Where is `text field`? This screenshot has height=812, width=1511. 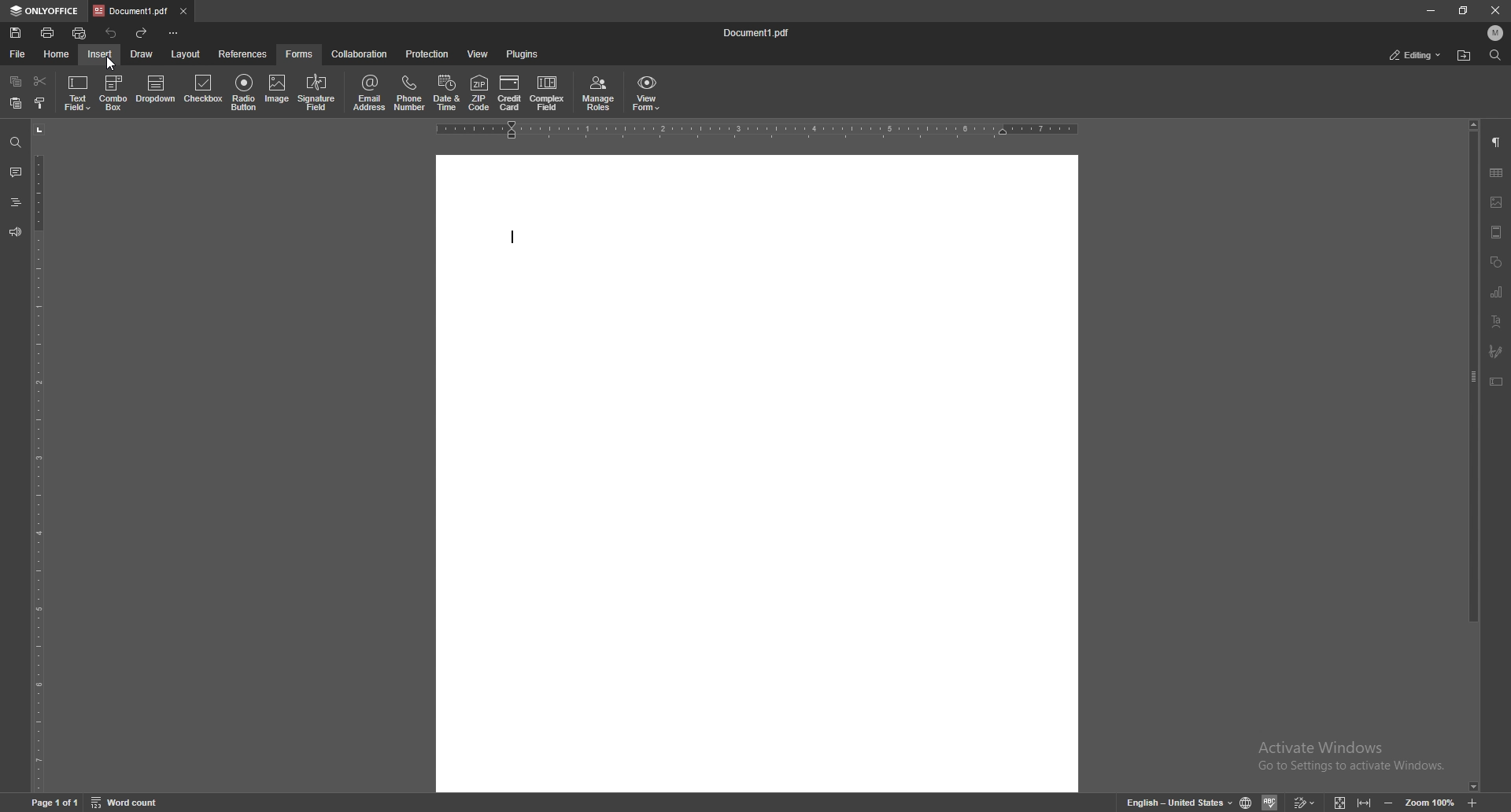 text field is located at coordinates (77, 92).